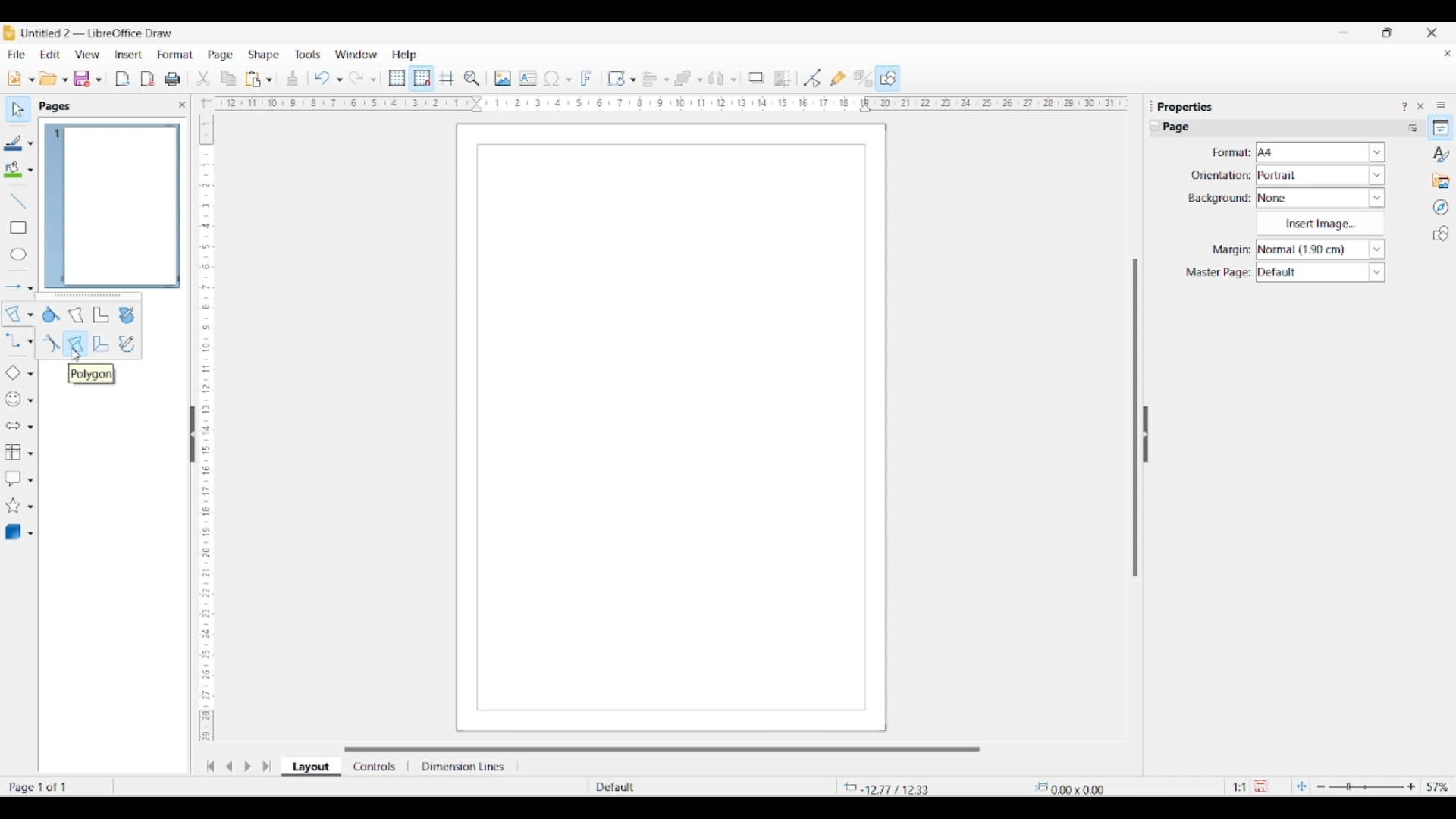 The width and height of the screenshot is (1456, 819). What do you see at coordinates (863, 79) in the screenshot?
I see `Toggle extrusion` at bounding box center [863, 79].